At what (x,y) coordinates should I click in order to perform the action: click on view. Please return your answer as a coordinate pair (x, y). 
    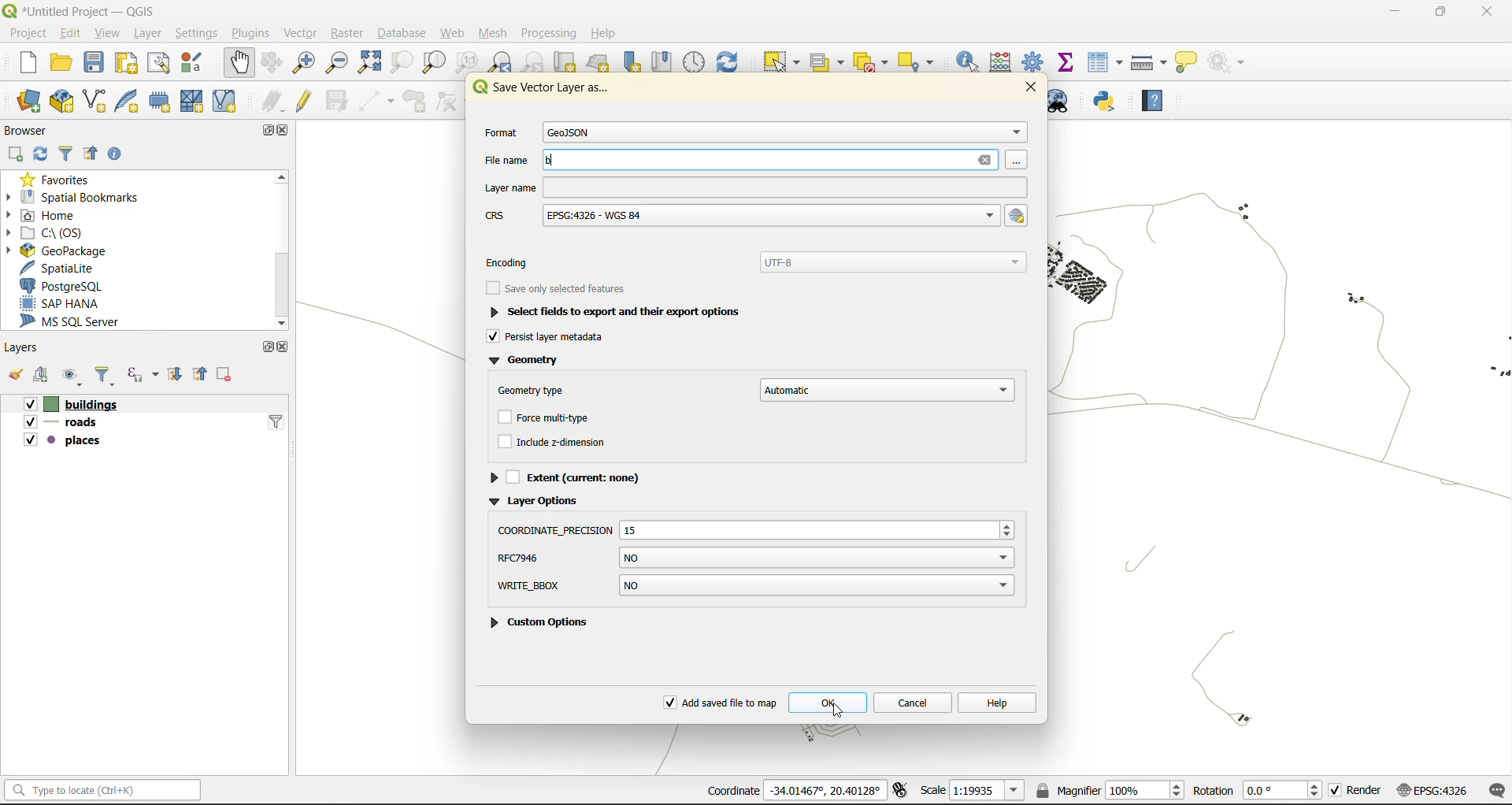
    Looking at the image, I should click on (107, 35).